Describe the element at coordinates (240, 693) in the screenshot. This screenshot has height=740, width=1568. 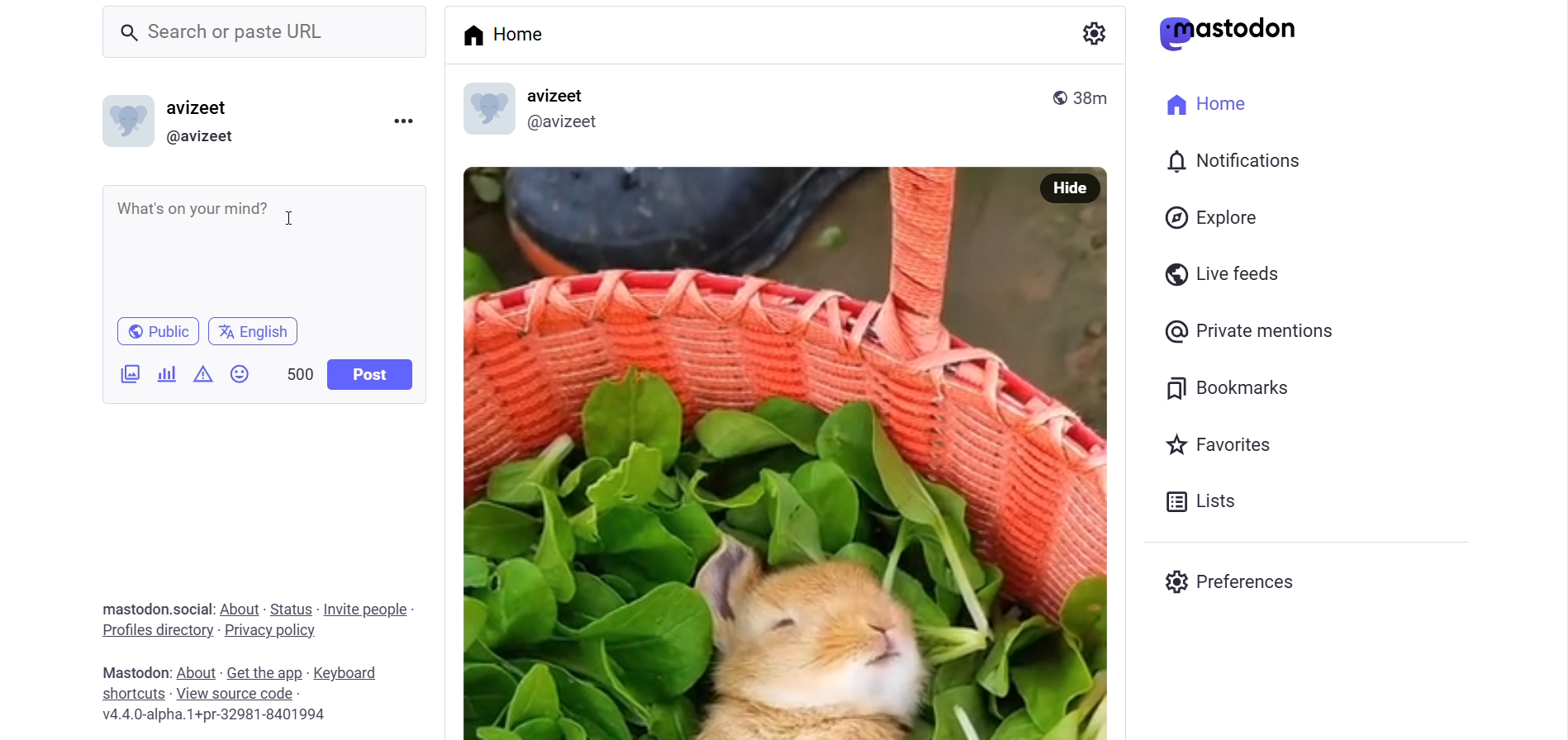
I see `view Source Code` at that location.